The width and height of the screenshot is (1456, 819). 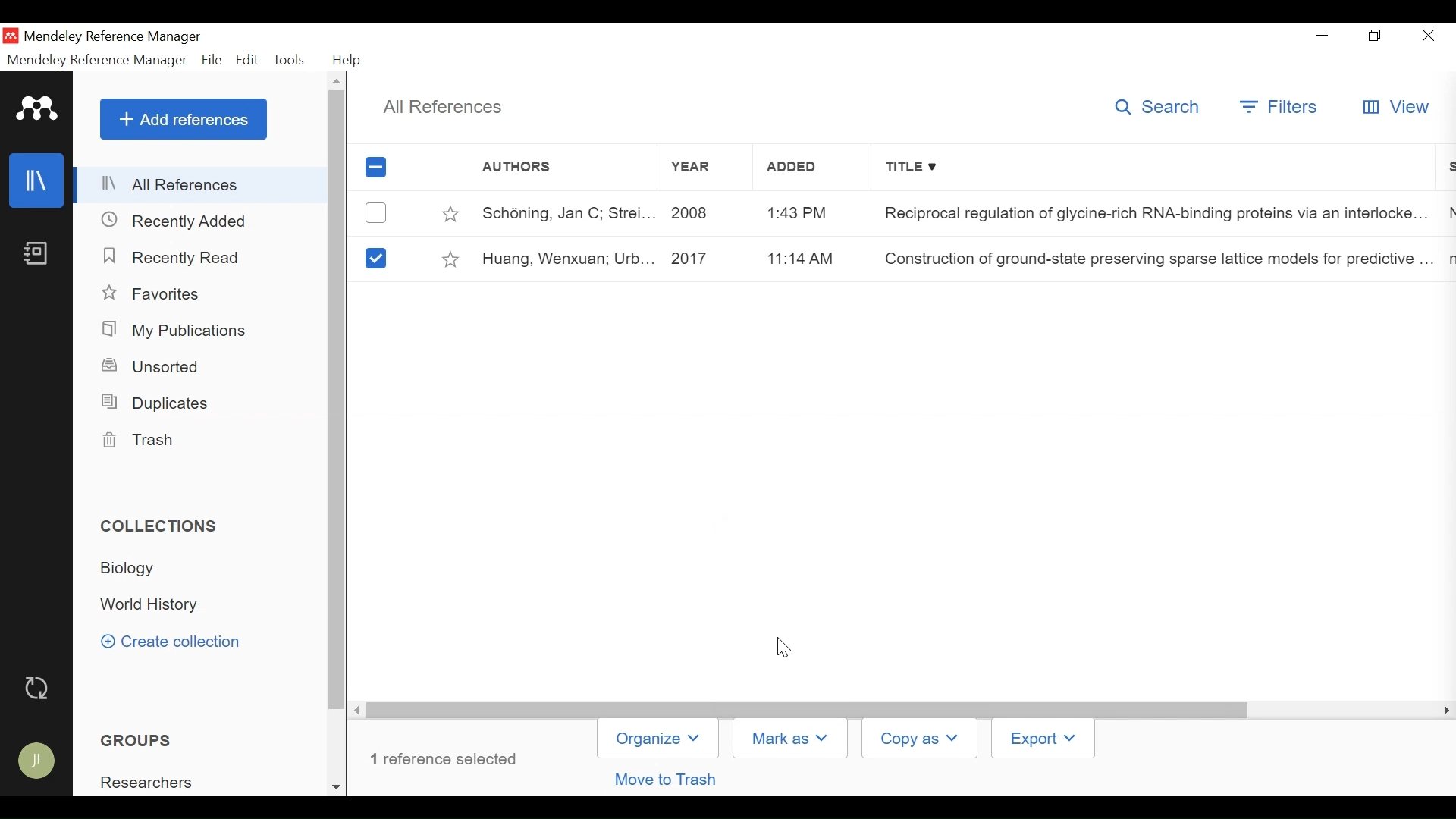 What do you see at coordinates (566, 259) in the screenshot?
I see `Huang, Wenxuan; Urb...` at bounding box center [566, 259].